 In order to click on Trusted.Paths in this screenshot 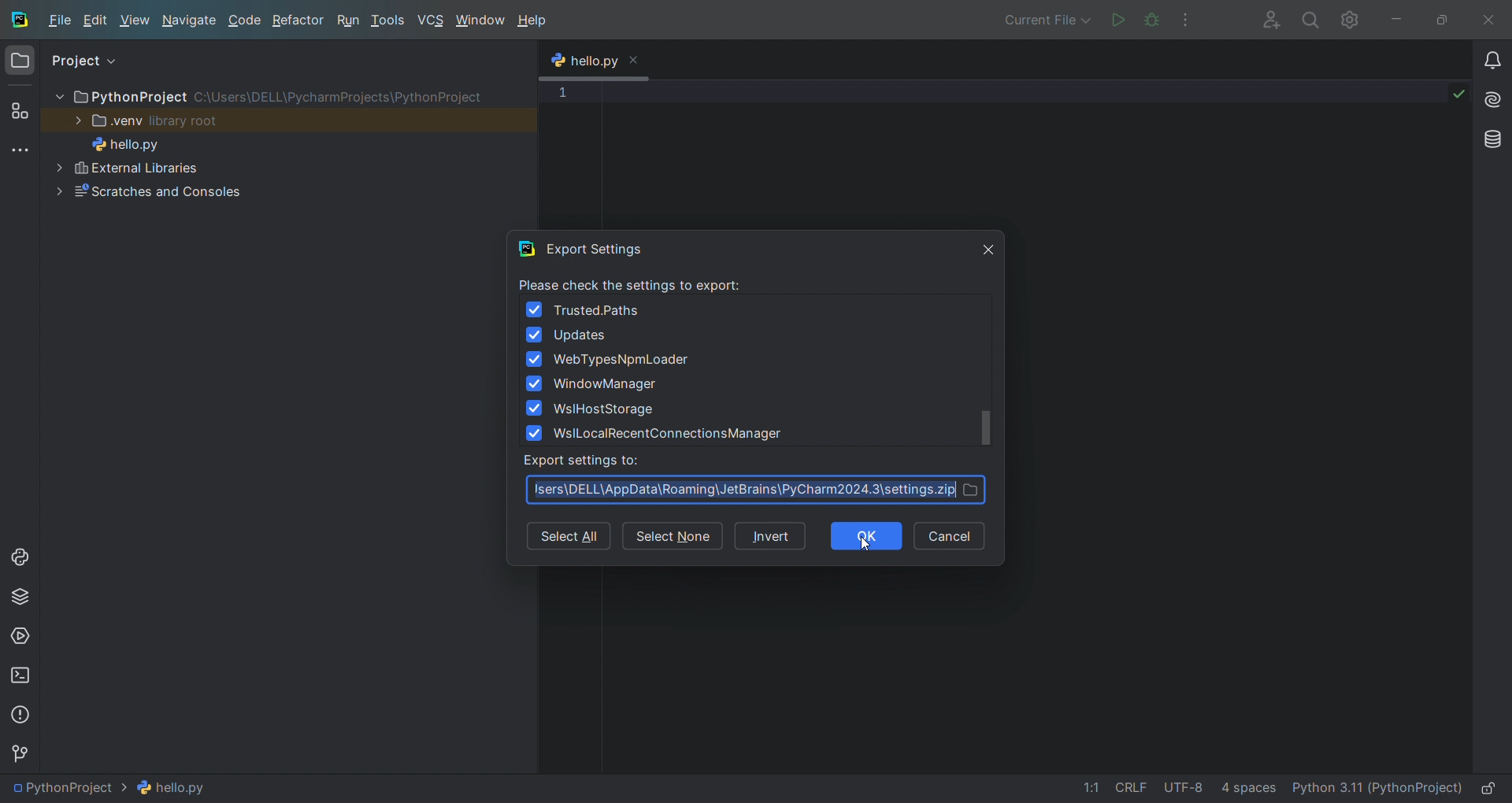, I will do `click(598, 312)`.